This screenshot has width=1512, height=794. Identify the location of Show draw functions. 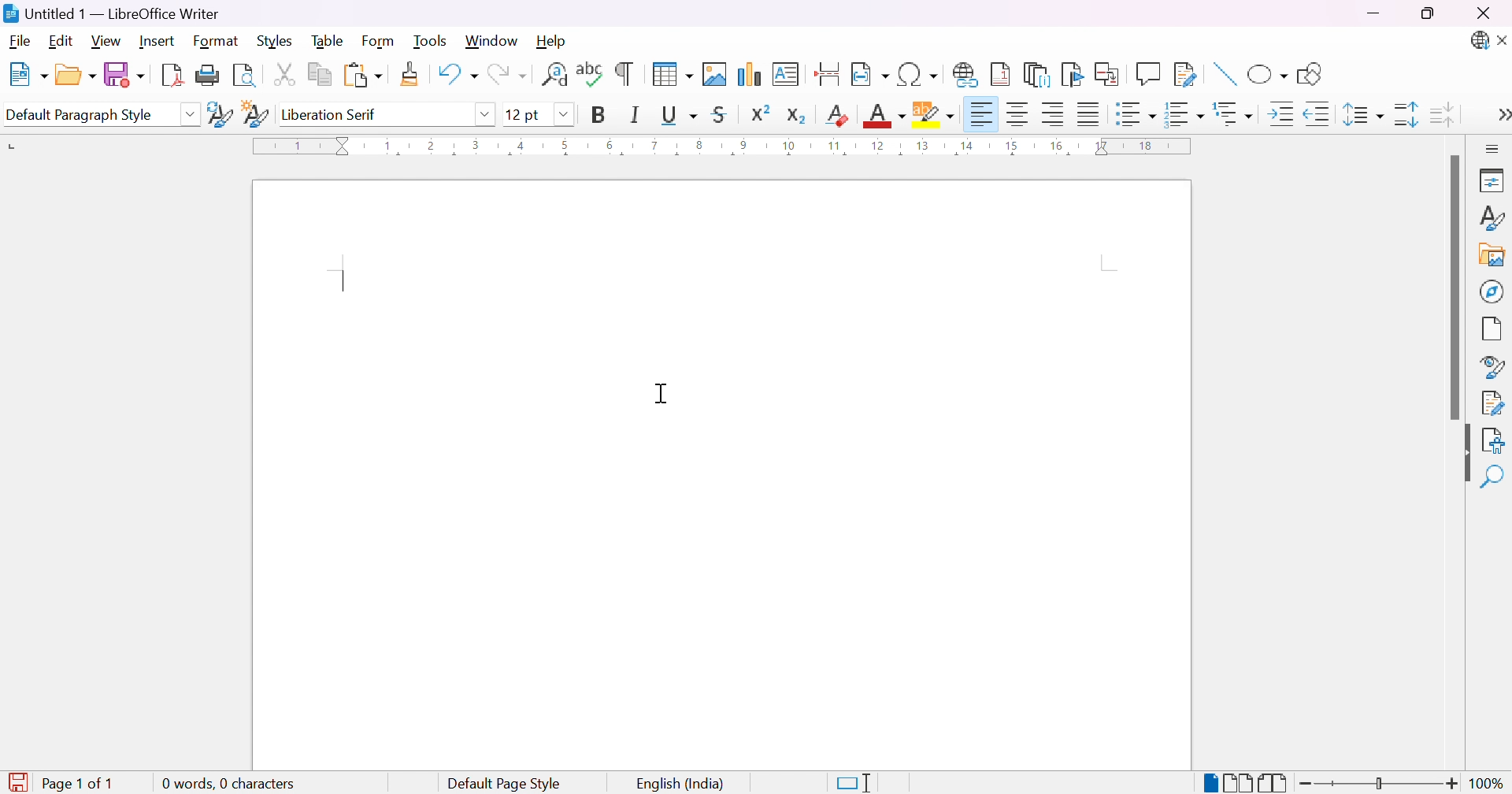
(1307, 74).